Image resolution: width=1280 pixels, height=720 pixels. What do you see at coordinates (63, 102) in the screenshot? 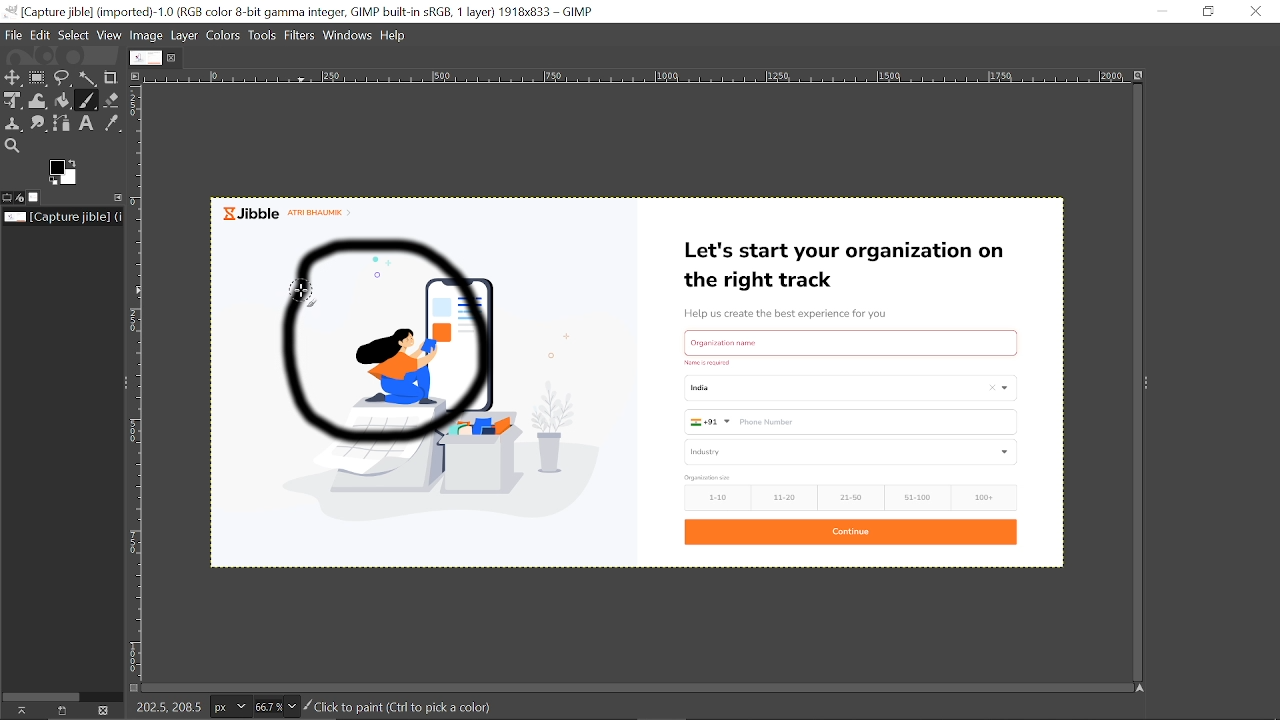
I see `bucket fill tool` at bounding box center [63, 102].